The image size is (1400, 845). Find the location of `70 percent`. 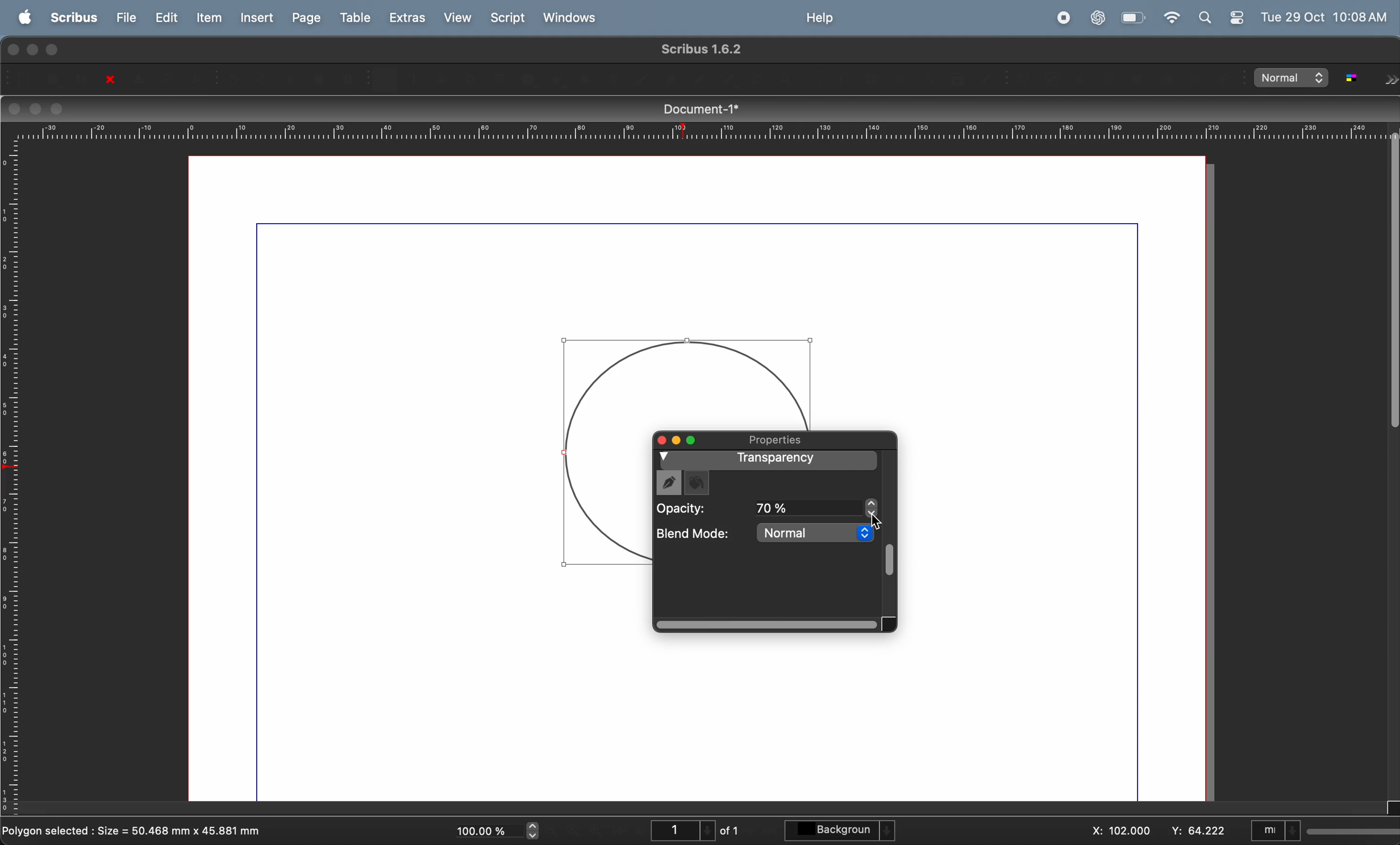

70 percent is located at coordinates (815, 507).